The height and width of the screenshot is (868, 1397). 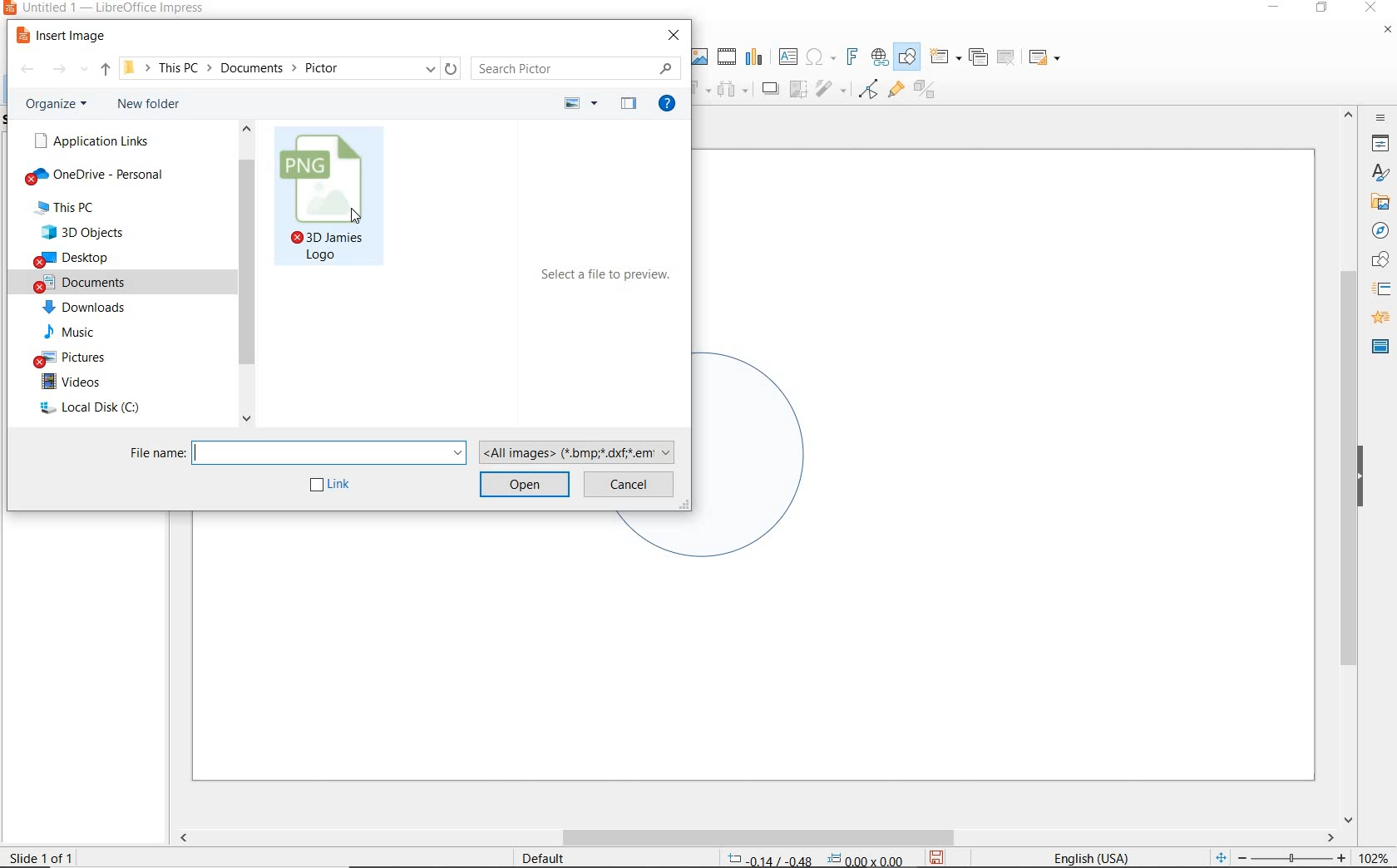 What do you see at coordinates (733, 90) in the screenshot?
I see `select at least three objects to distribute` at bounding box center [733, 90].